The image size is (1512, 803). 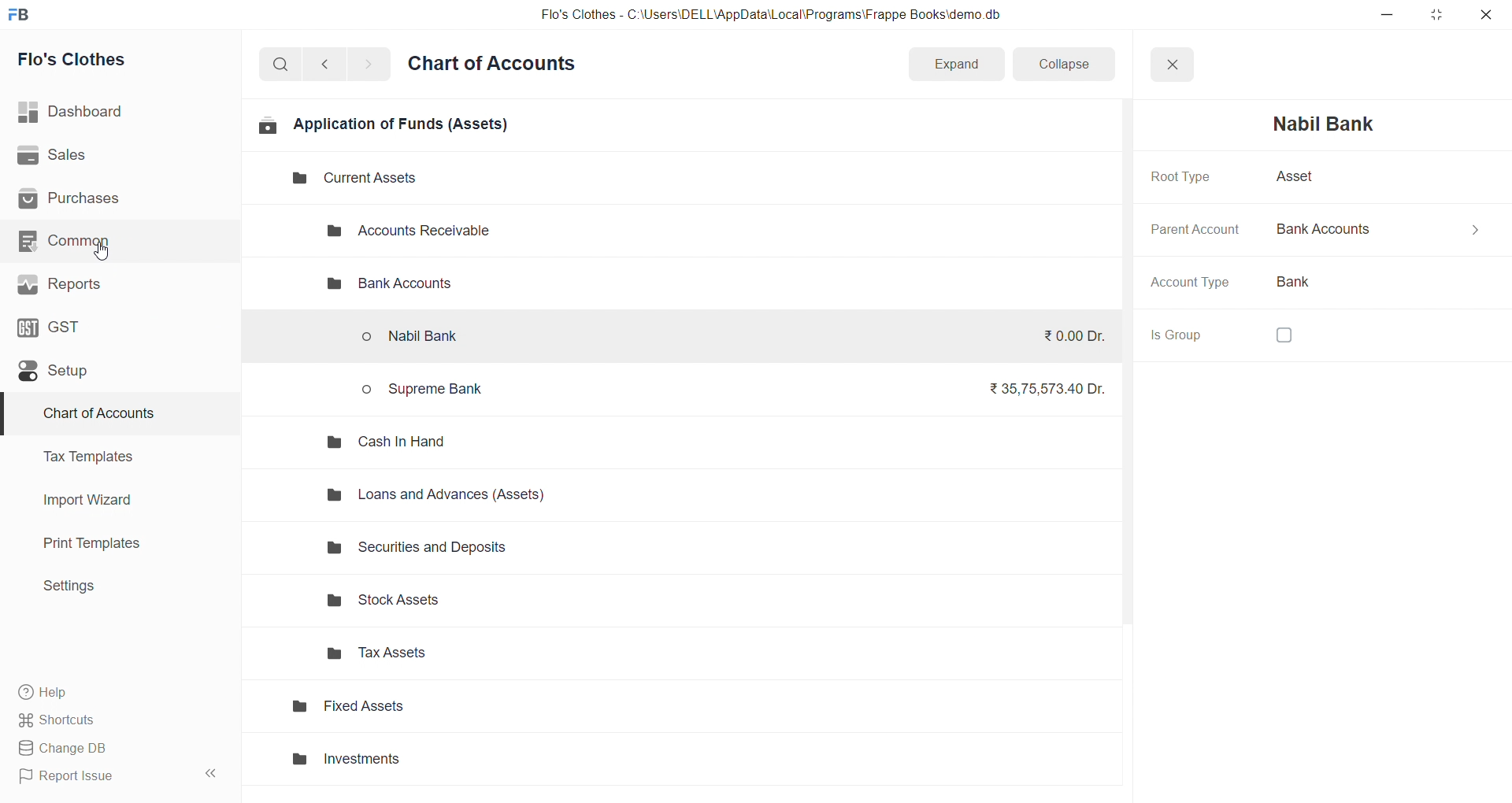 What do you see at coordinates (386, 285) in the screenshot?
I see `Bank Accounts` at bounding box center [386, 285].